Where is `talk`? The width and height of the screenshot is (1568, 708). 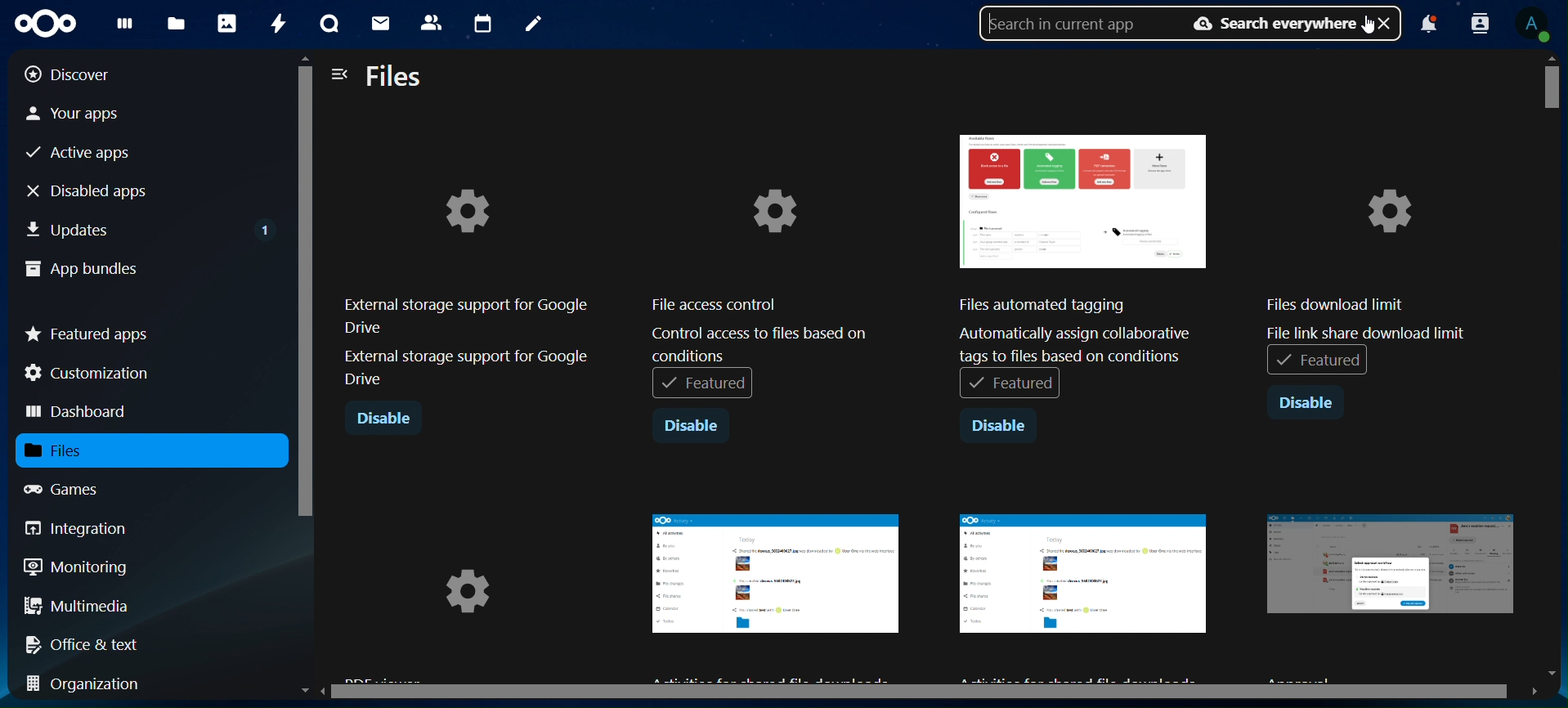 talk is located at coordinates (329, 24).